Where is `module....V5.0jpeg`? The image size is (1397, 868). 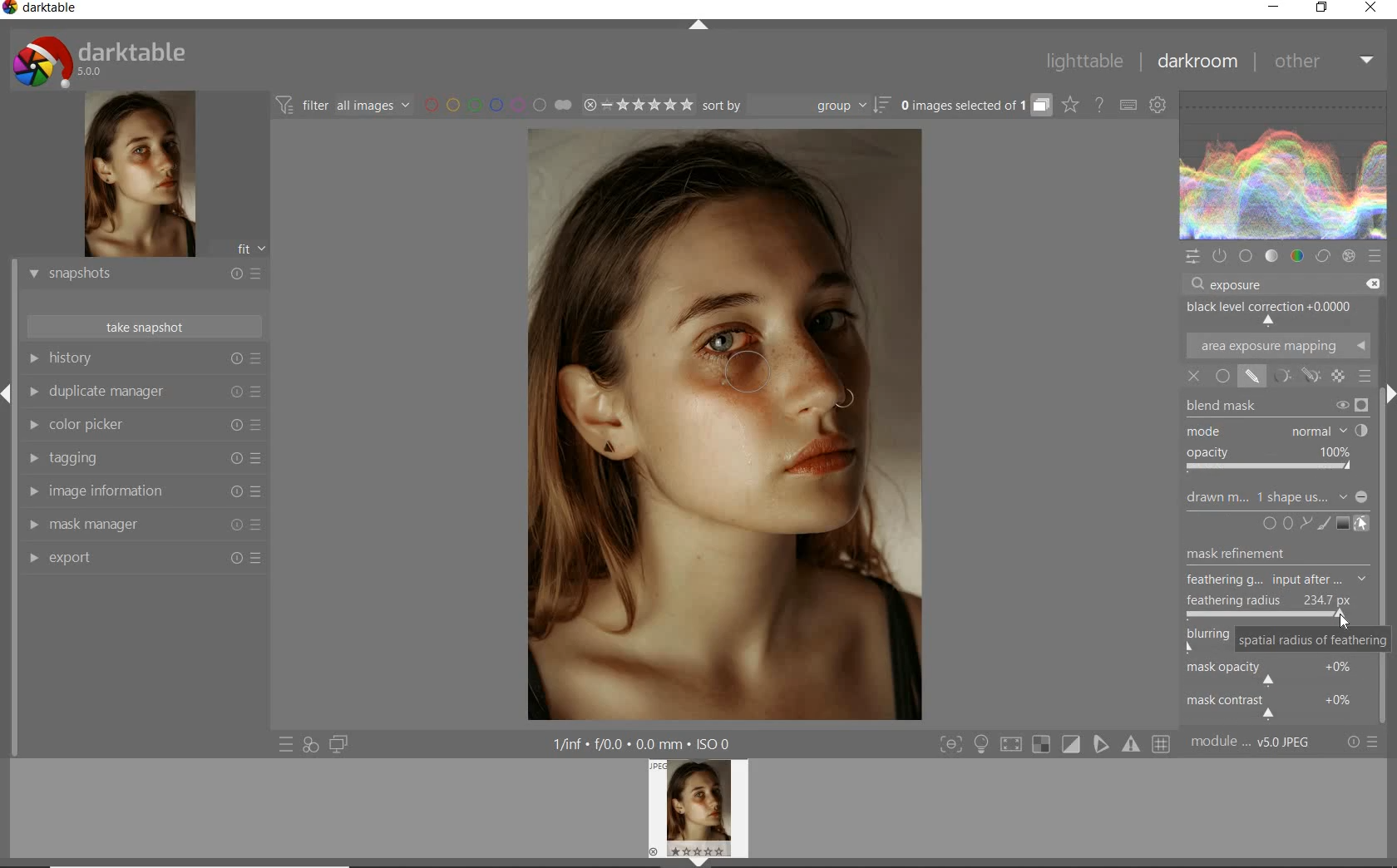
module....V5.0jpeg is located at coordinates (1261, 744).